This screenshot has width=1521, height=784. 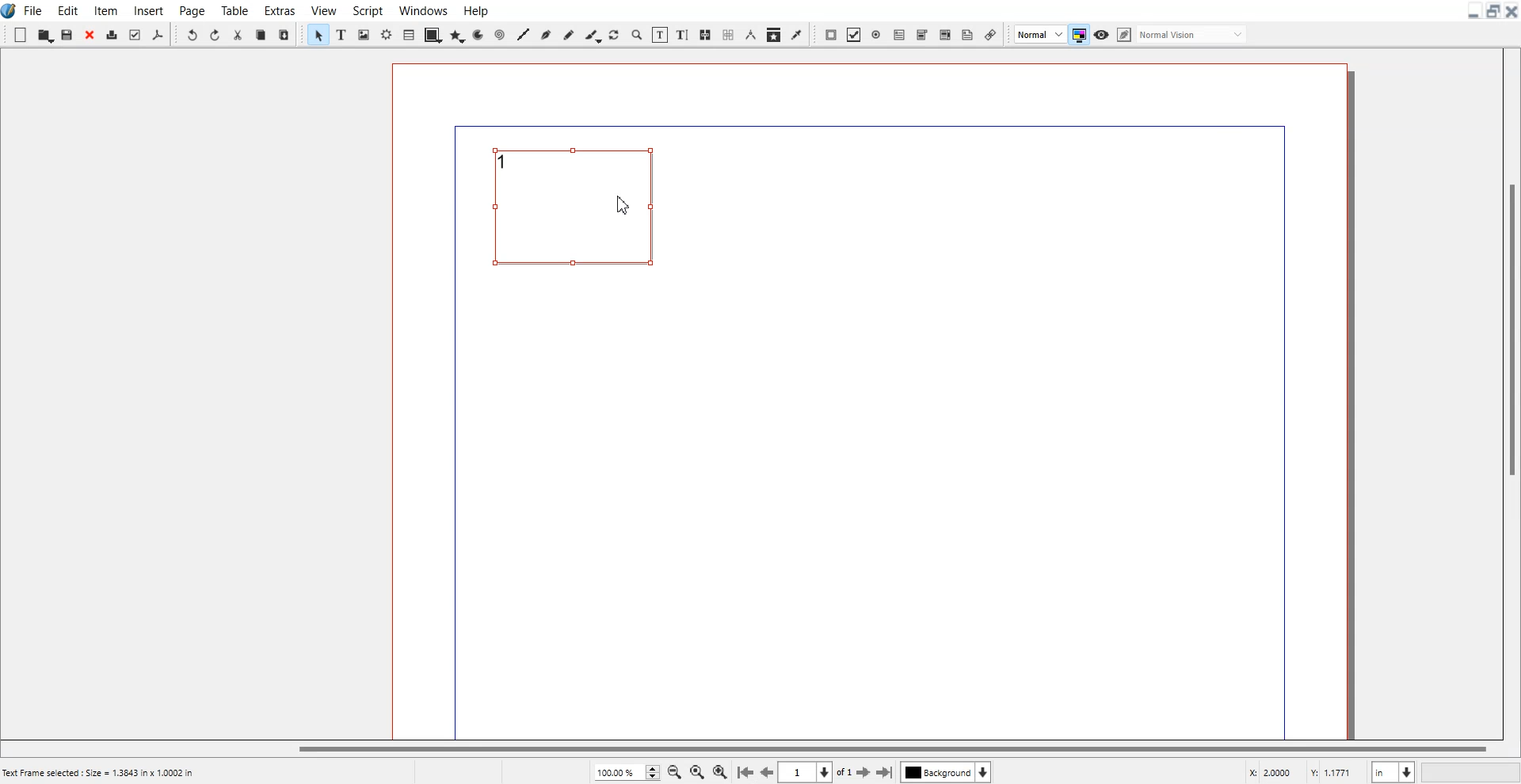 What do you see at coordinates (945, 772) in the screenshot?
I see `Select layer background` at bounding box center [945, 772].